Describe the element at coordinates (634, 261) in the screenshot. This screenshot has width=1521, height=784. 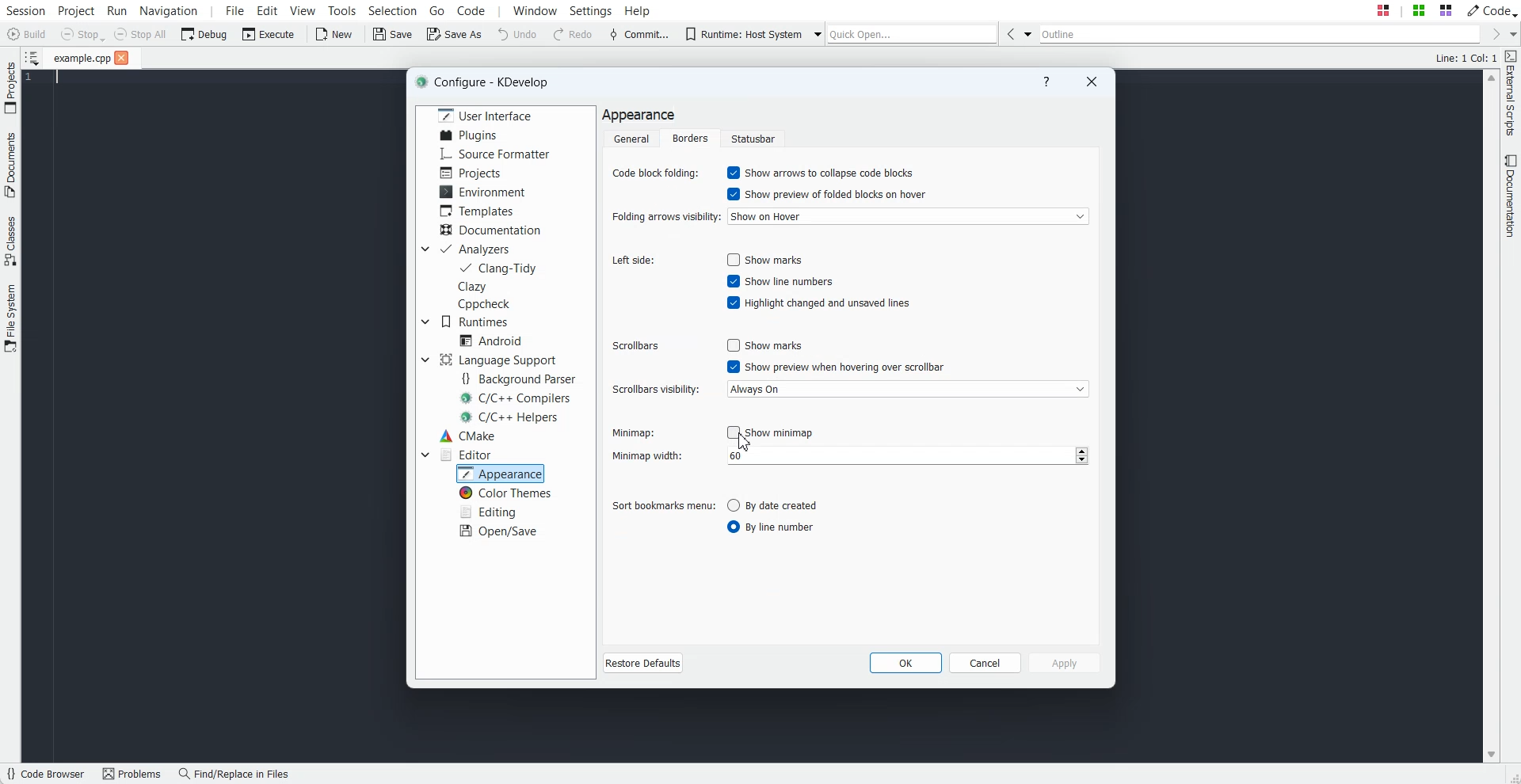
I see `Left side` at that location.